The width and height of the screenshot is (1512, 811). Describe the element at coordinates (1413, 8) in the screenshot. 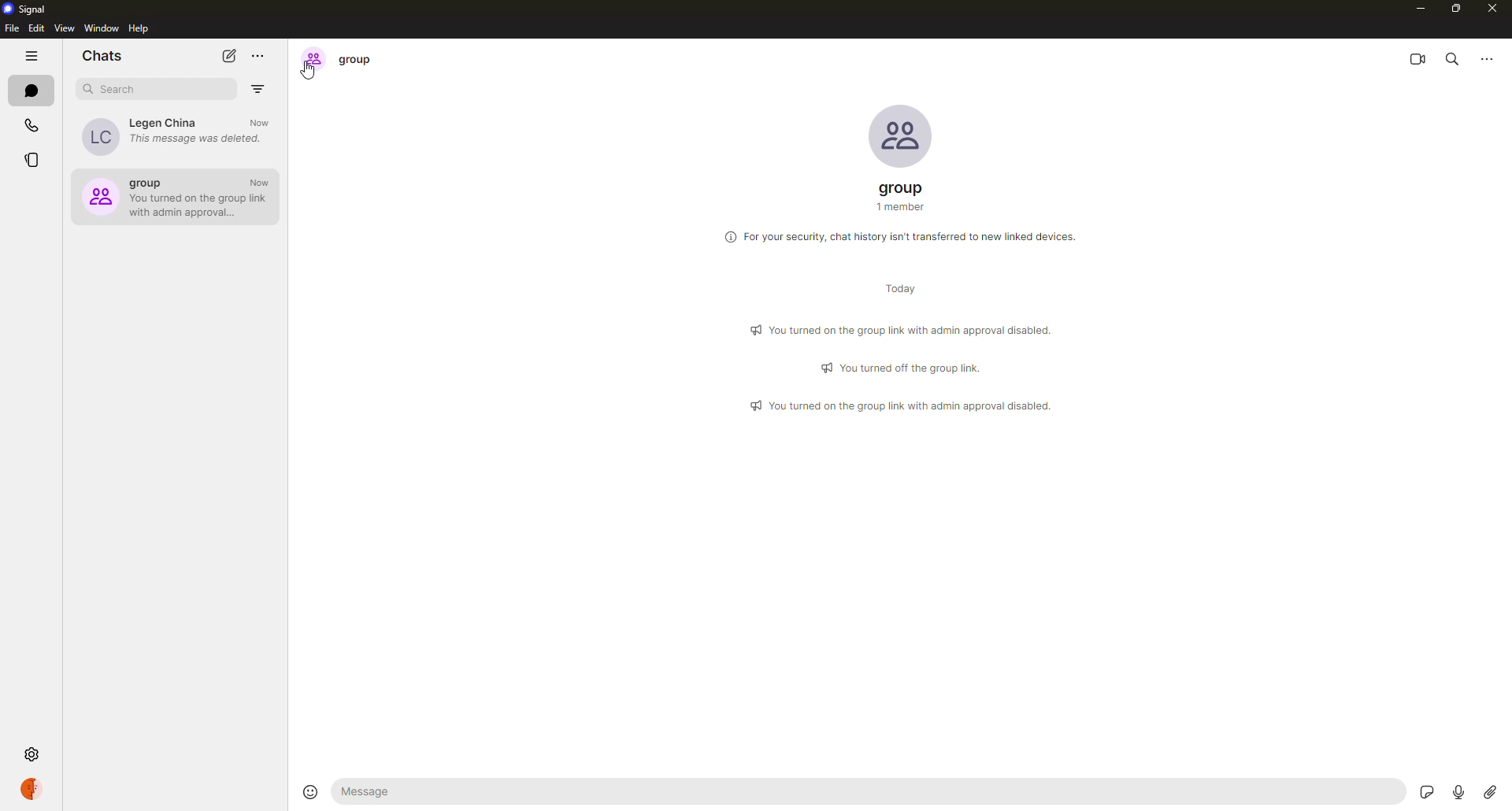

I see `minimize` at that location.